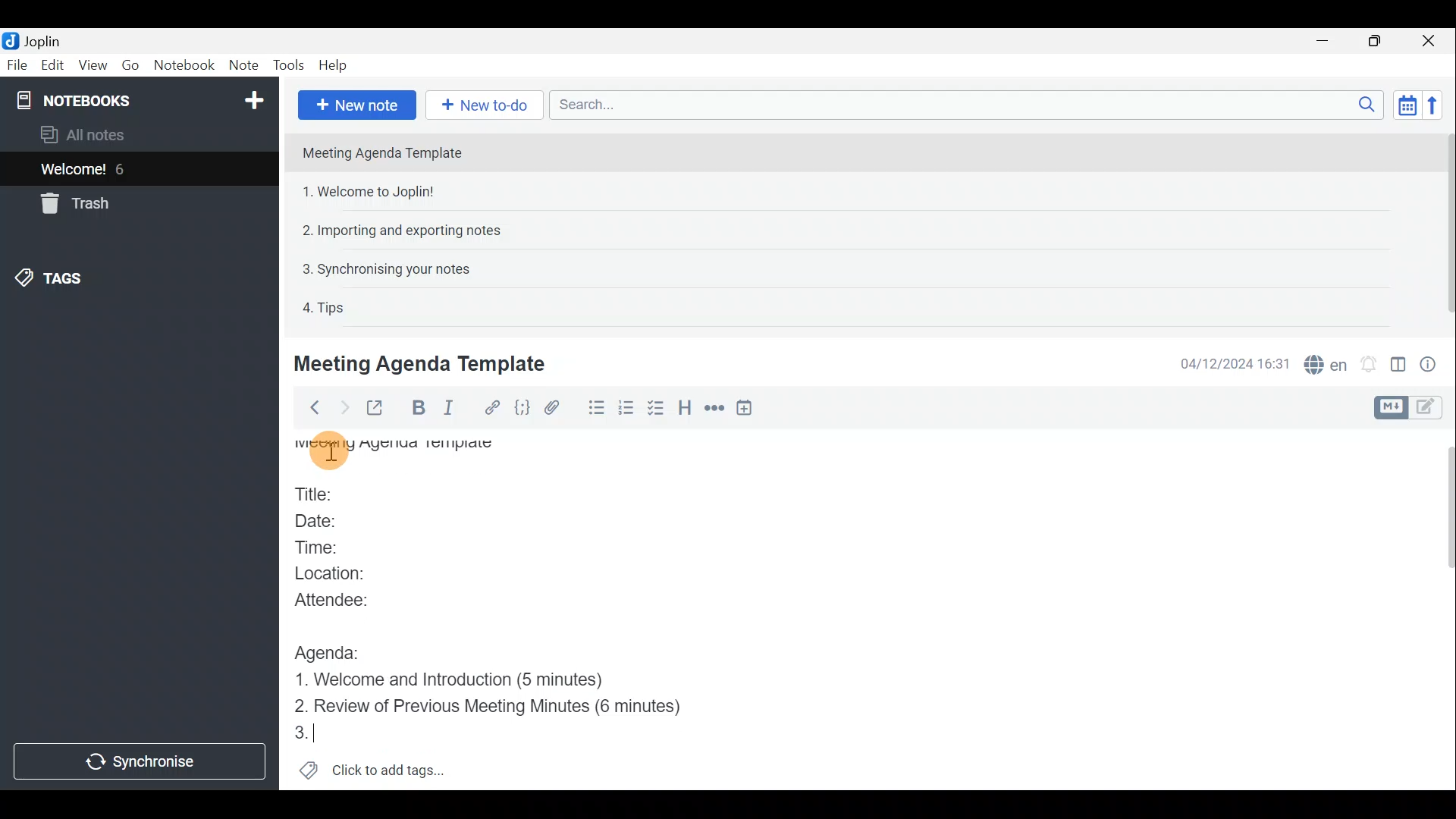 The width and height of the screenshot is (1456, 819). What do you see at coordinates (329, 449) in the screenshot?
I see `` at bounding box center [329, 449].